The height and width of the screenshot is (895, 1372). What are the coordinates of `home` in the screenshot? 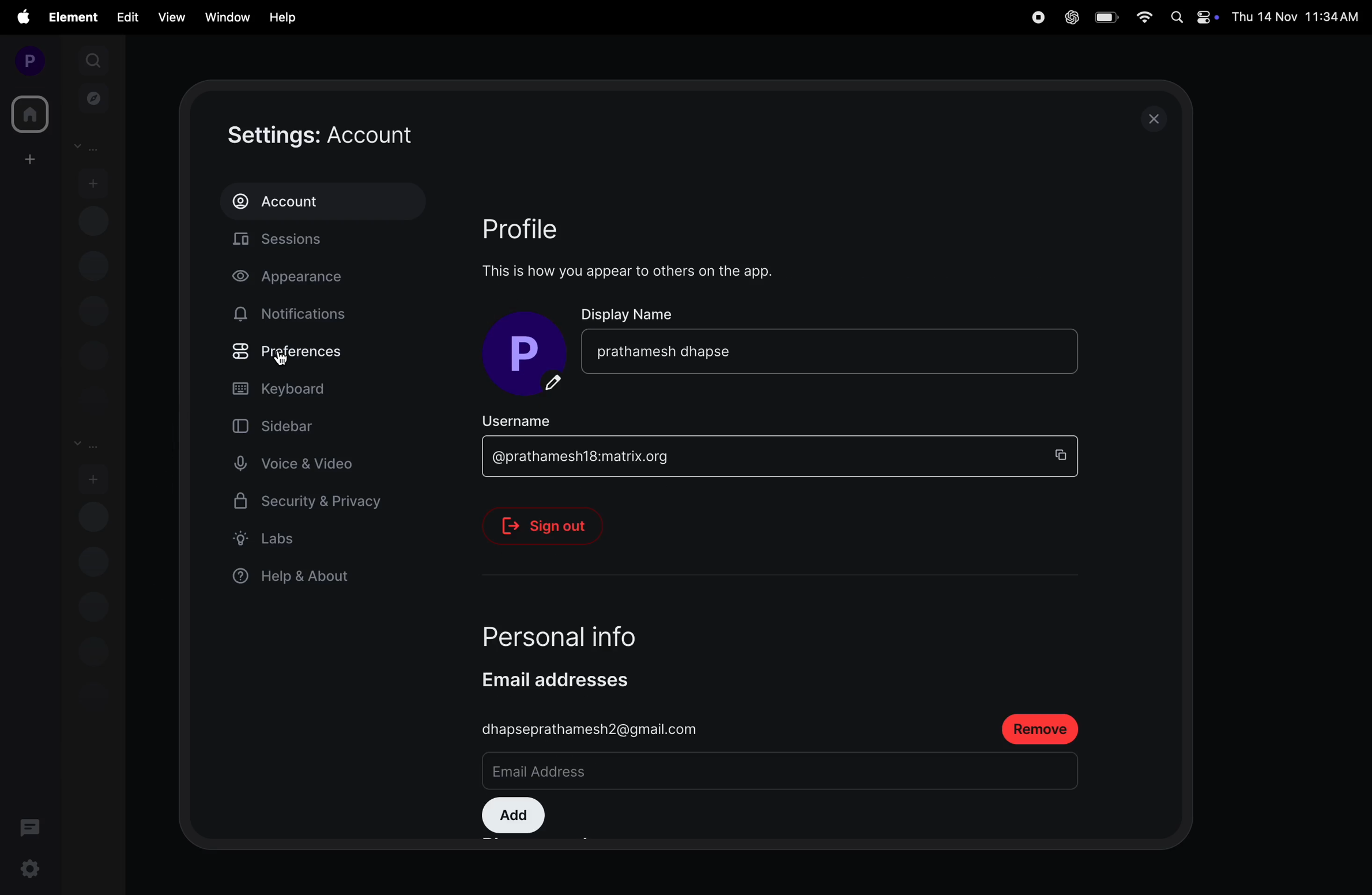 It's located at (31, 111).